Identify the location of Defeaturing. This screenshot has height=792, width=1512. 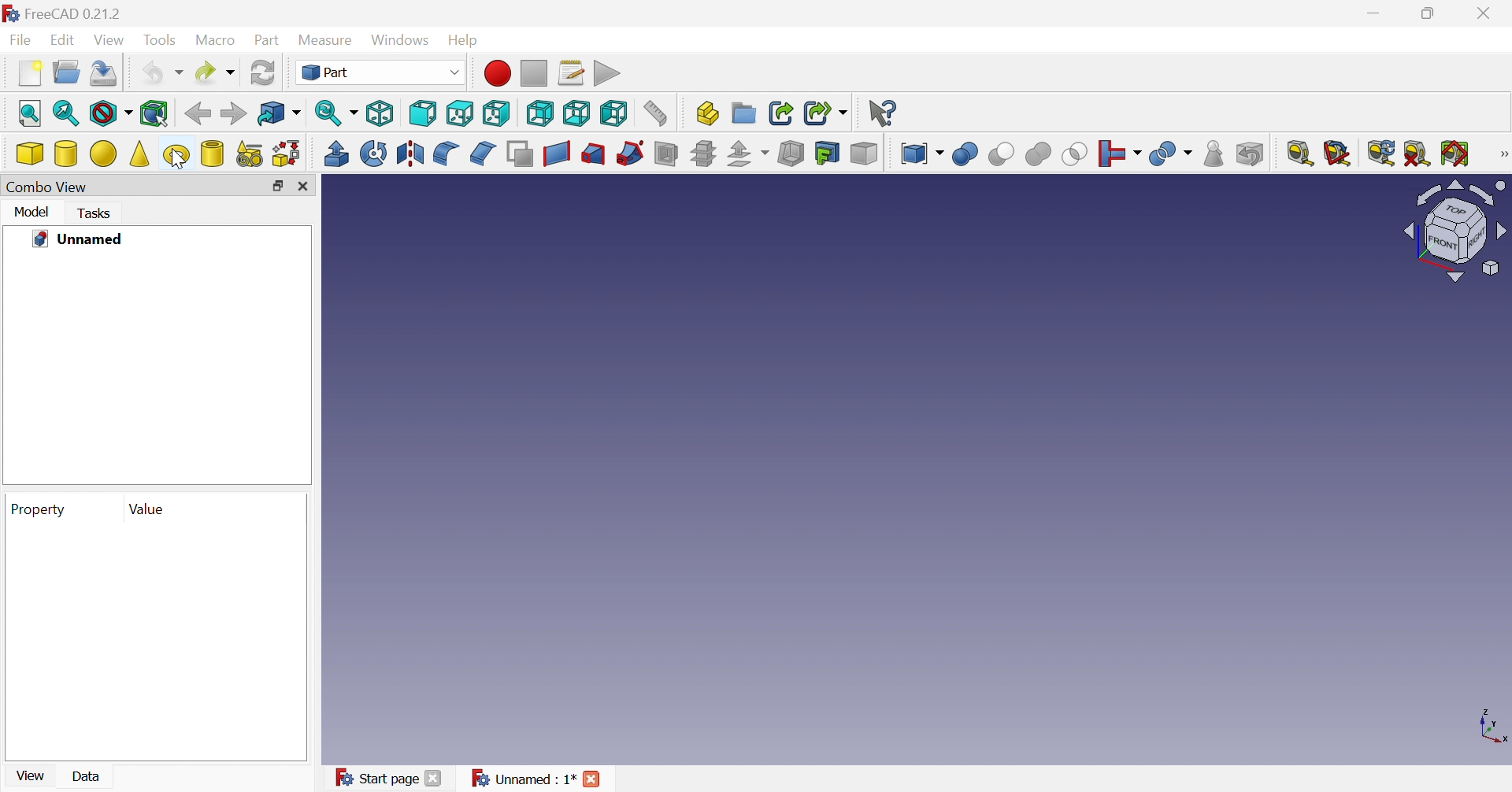
(1248, 153).